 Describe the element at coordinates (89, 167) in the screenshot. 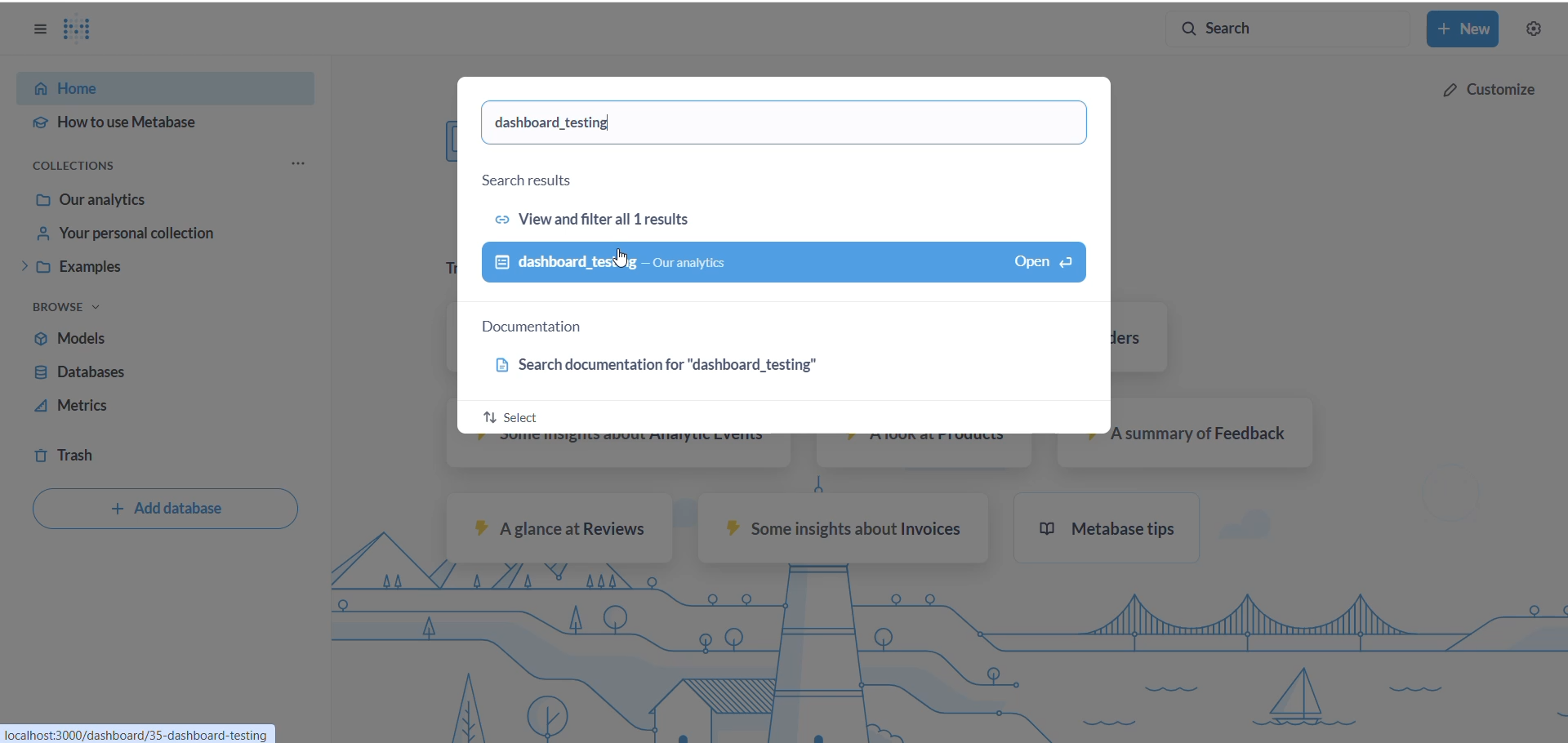

I see `collections` at that location.